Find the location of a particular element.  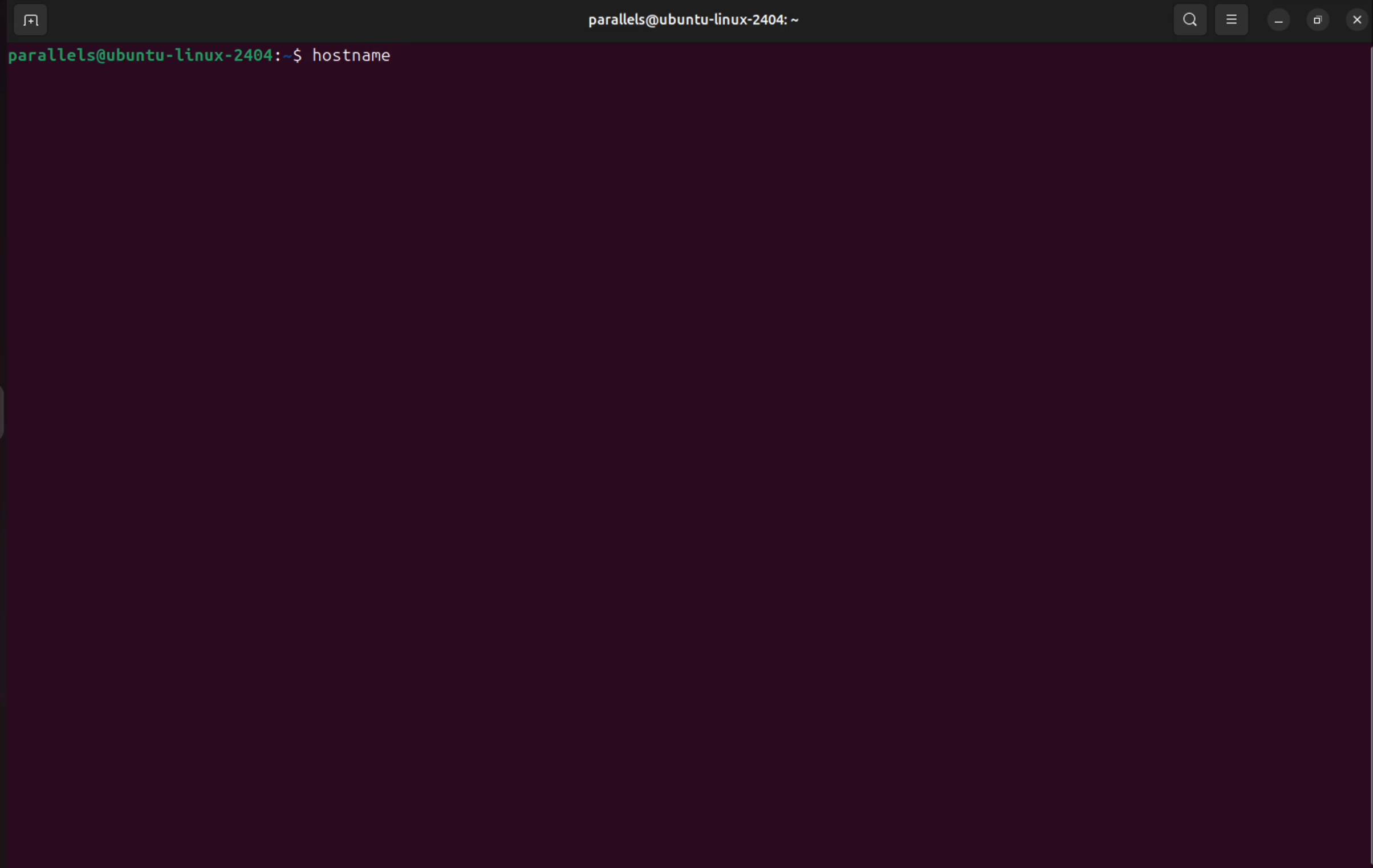

Scrollbar is located at coordinates (1362, 453).